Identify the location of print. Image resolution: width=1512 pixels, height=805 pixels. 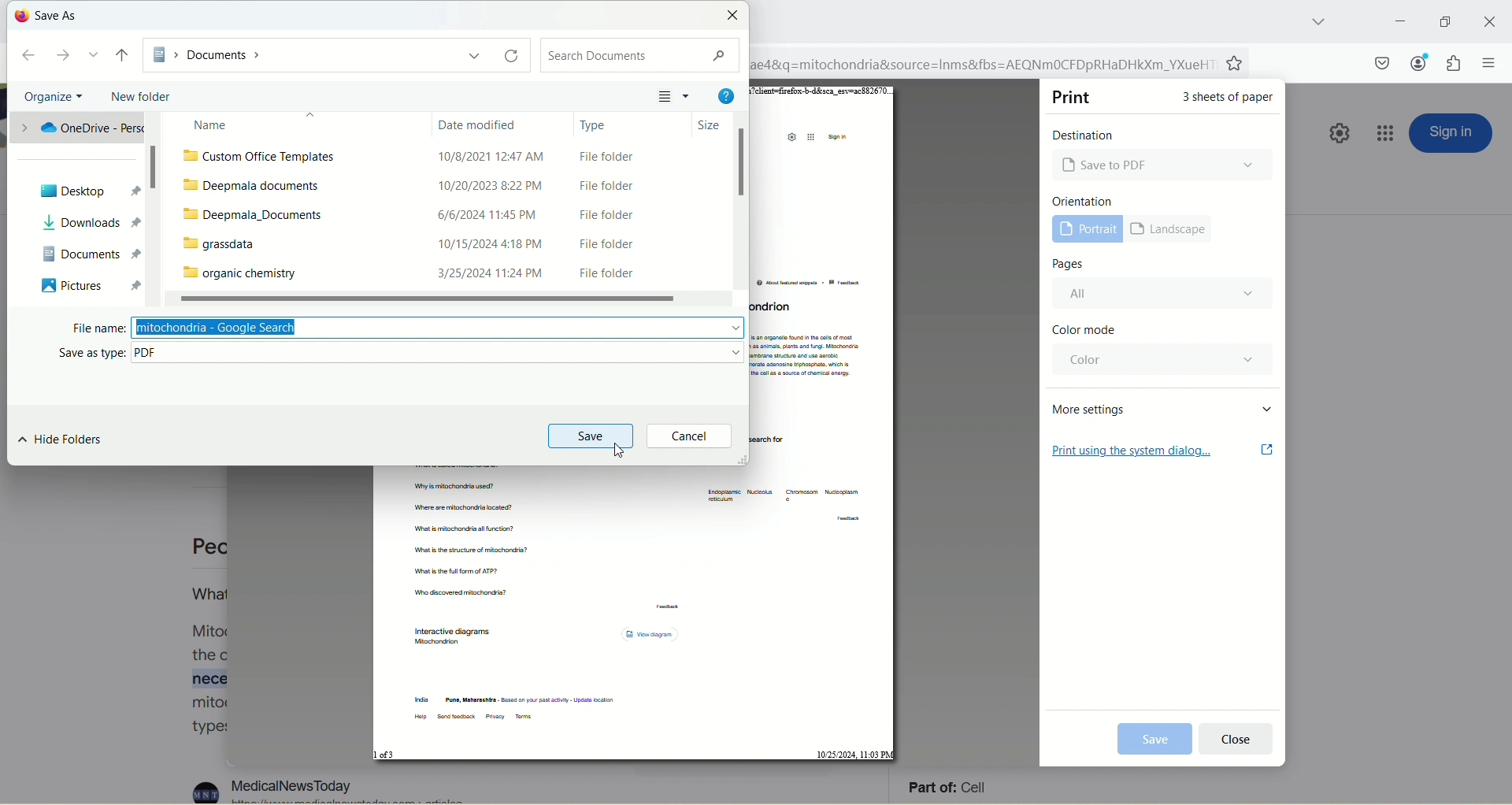
(1155, 739).